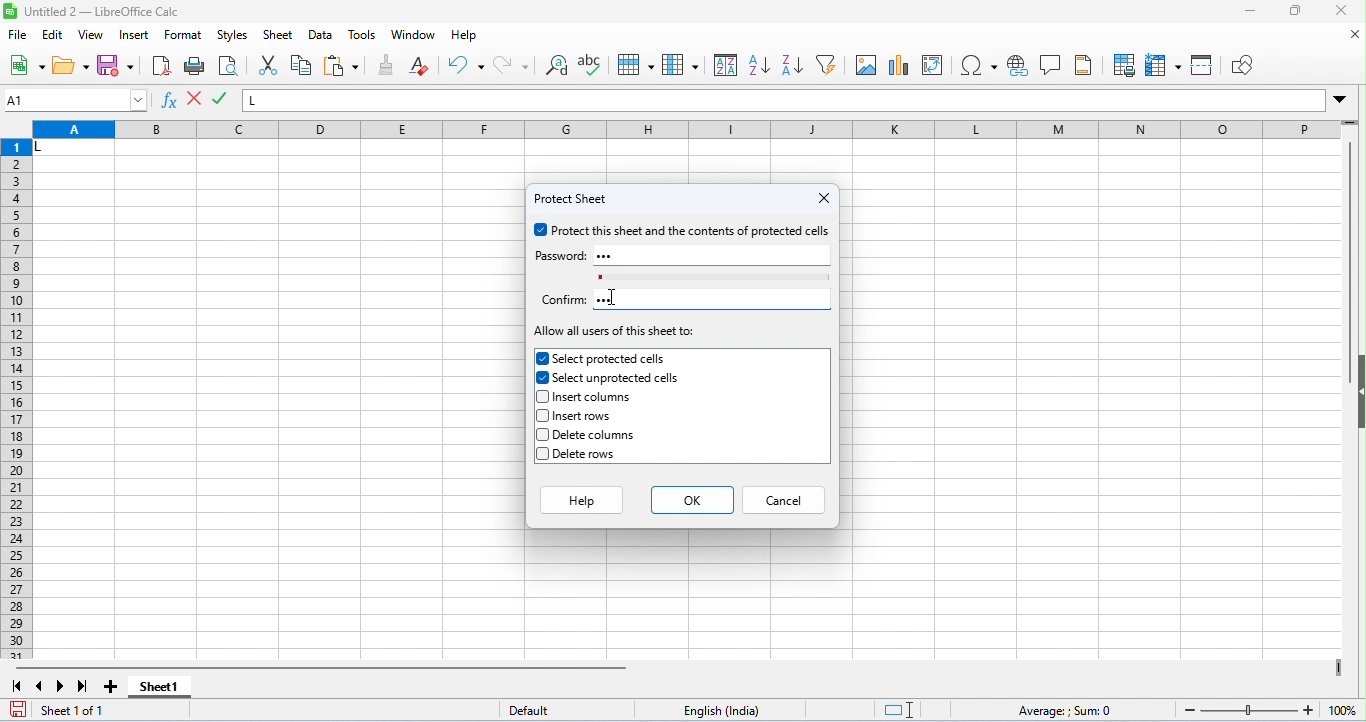  I want to click on function wizard, so click(171, 102).